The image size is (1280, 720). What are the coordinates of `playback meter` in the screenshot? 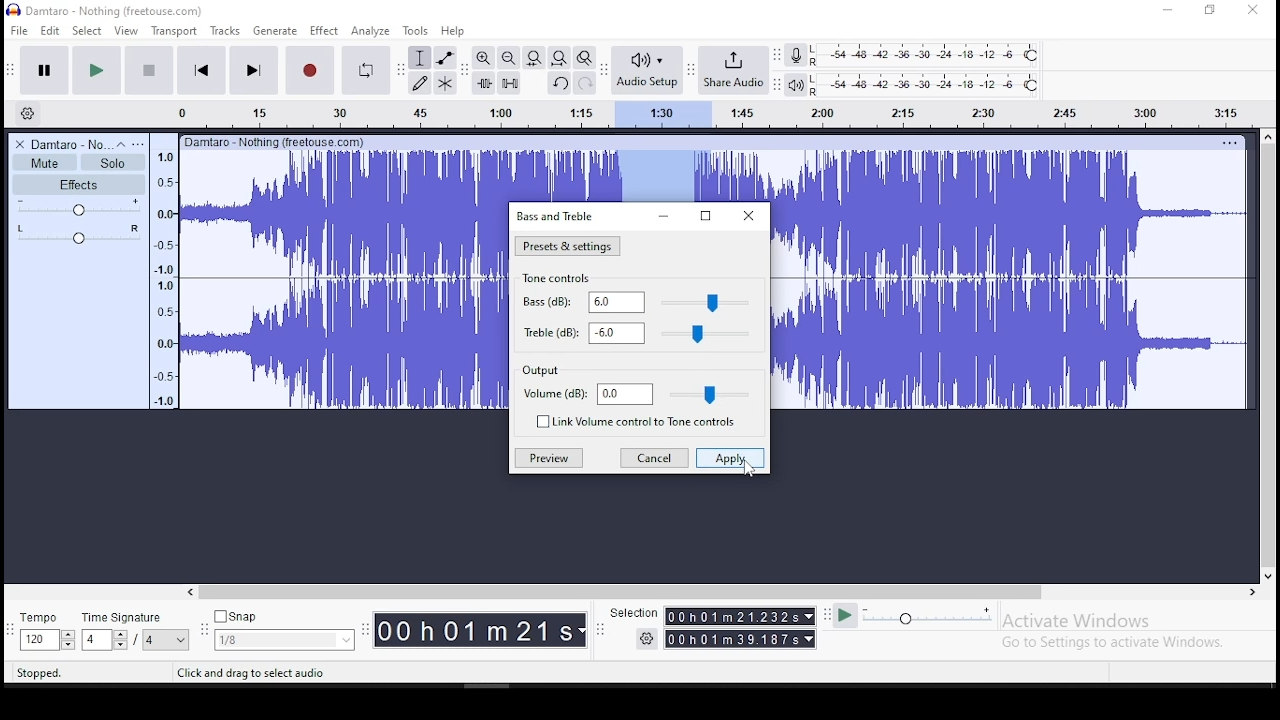 It's located at (797, 85).